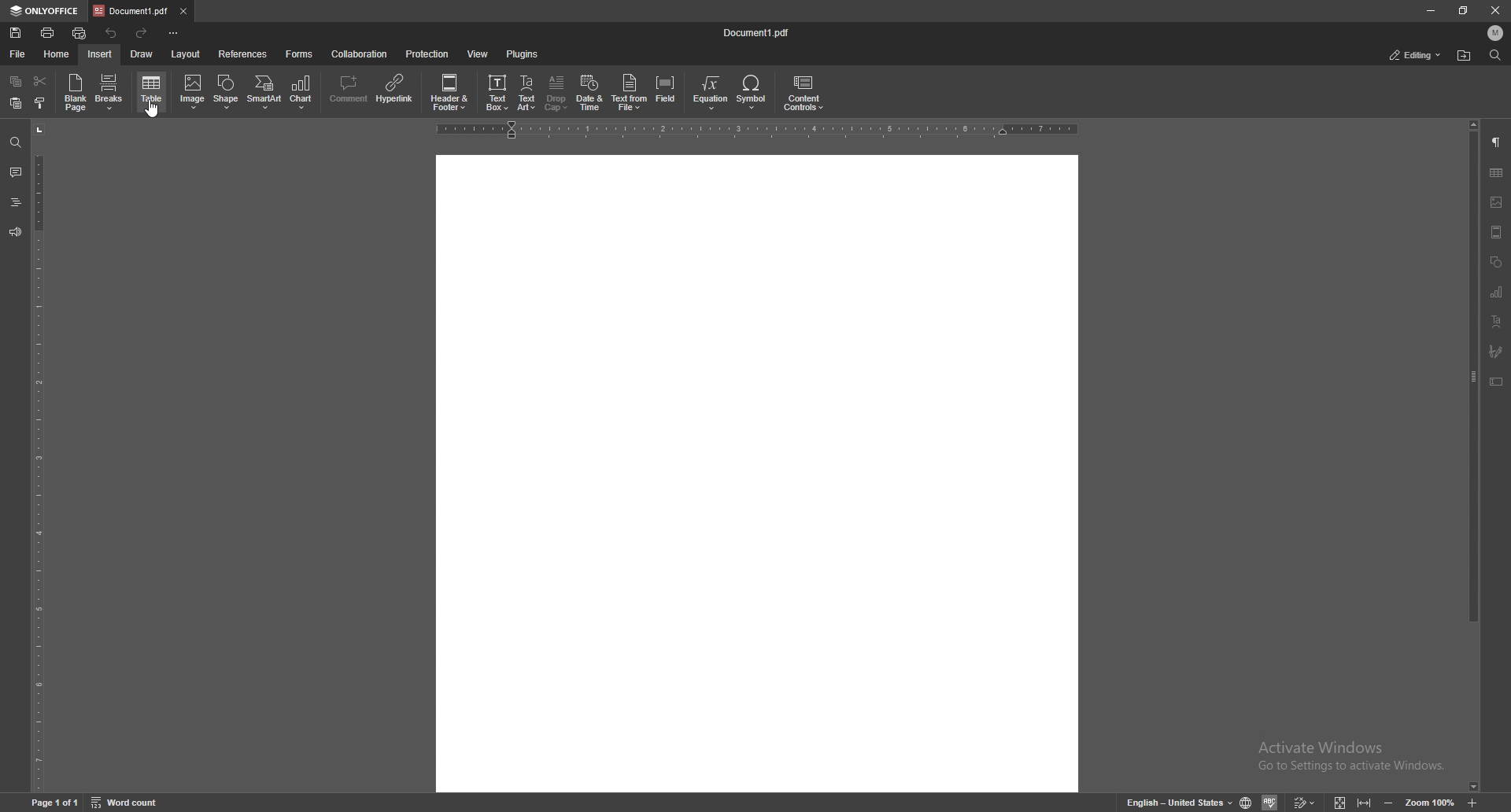  Describe the element at coordinates (1179, 802) in the screenshot. I see `change text language` at that location.